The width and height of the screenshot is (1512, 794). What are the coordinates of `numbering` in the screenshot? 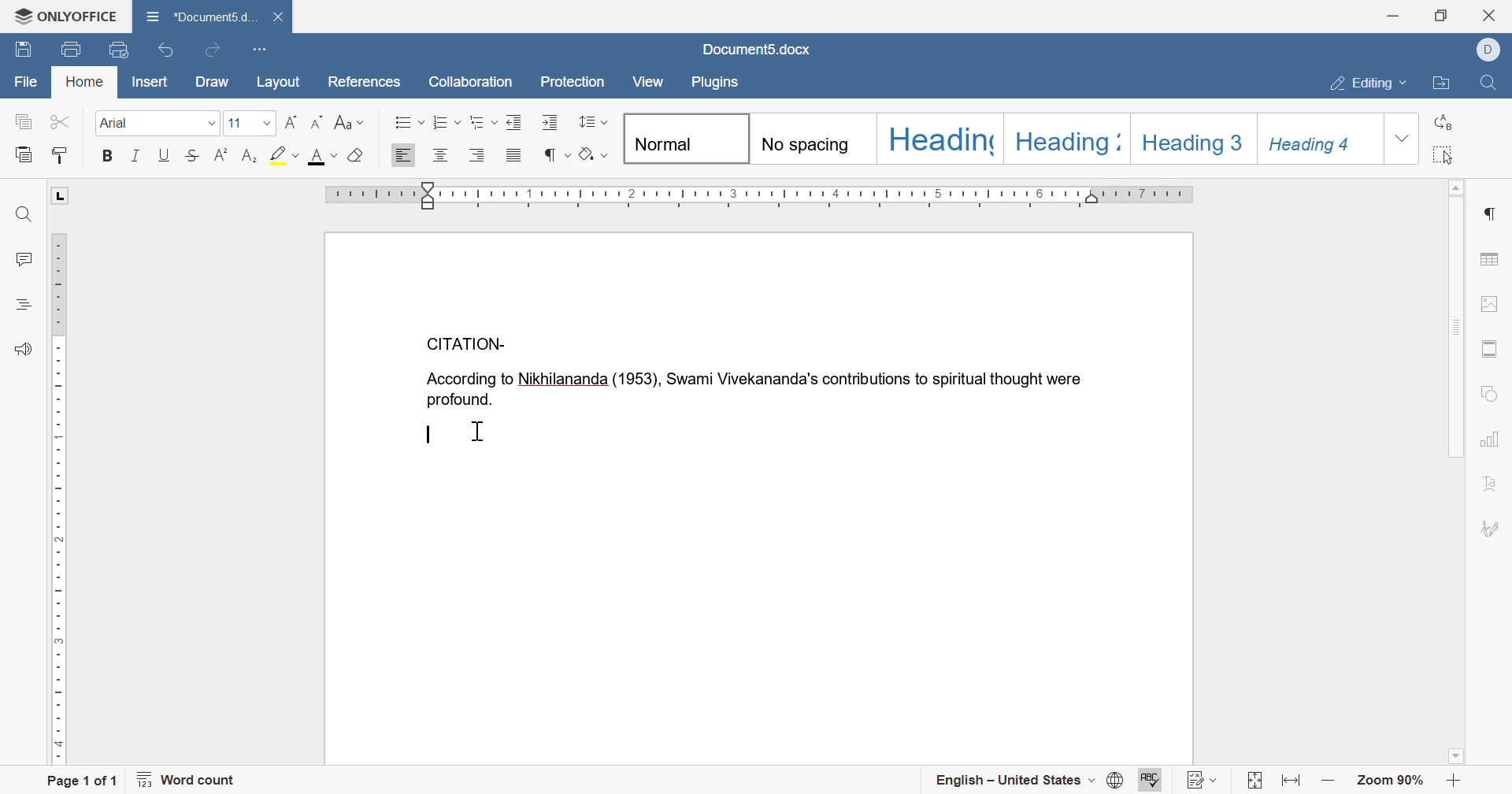 It's located at (447, 121).